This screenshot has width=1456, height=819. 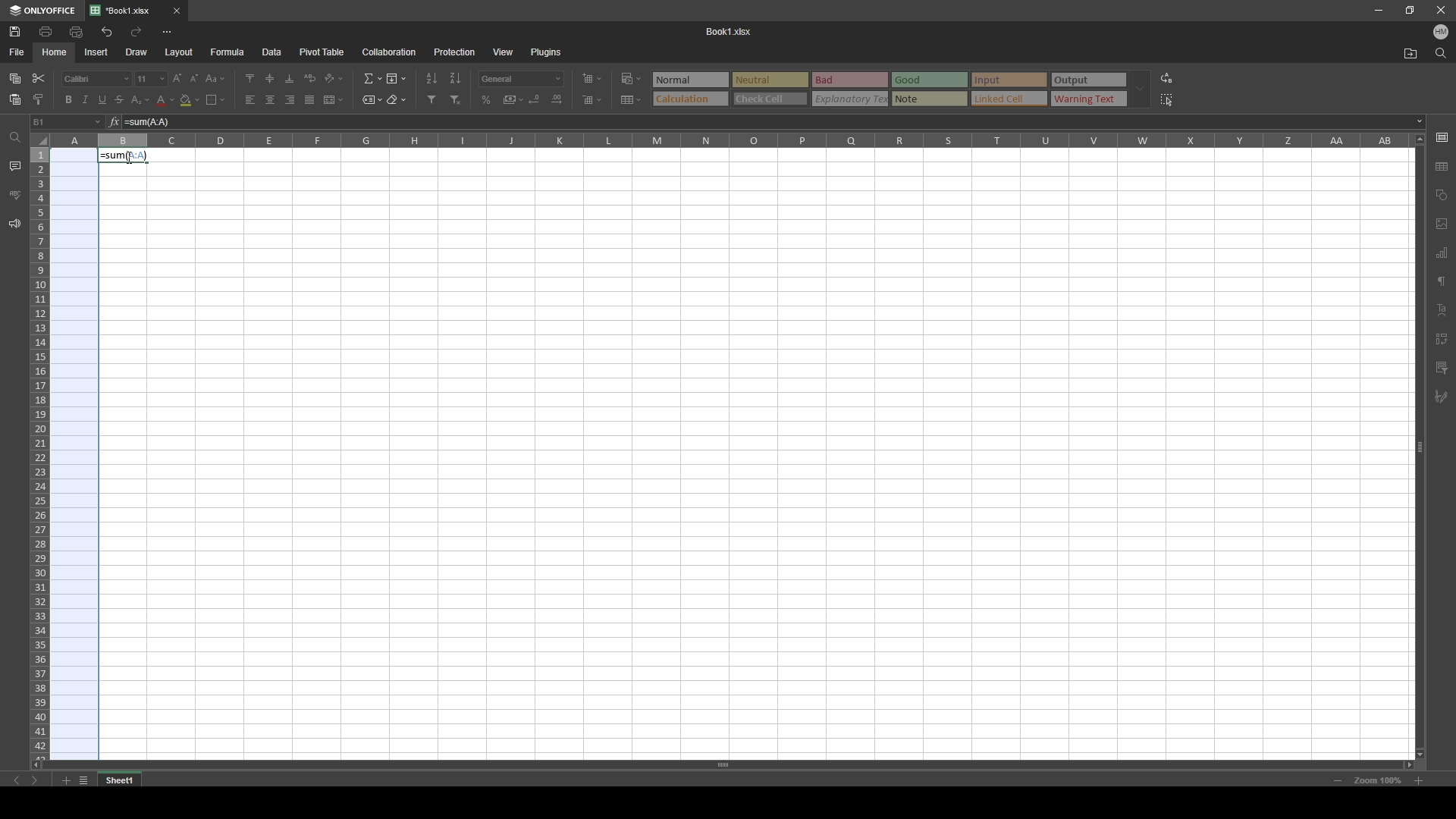 I want to click on shapes, so click(x=1442, y=194).